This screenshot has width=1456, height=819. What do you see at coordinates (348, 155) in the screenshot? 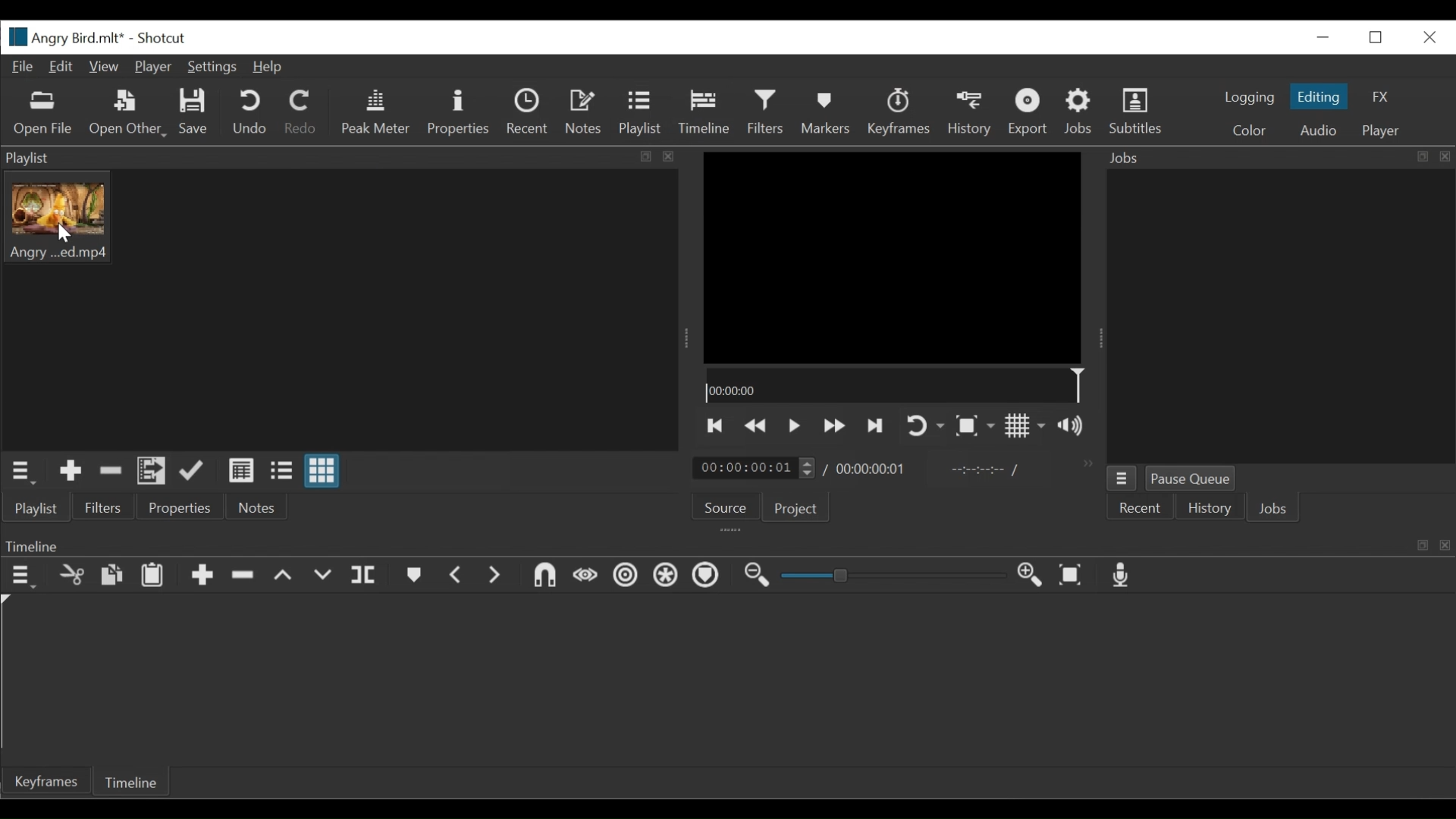
I see `Playlist Panel` at bounding box center [348, 155].